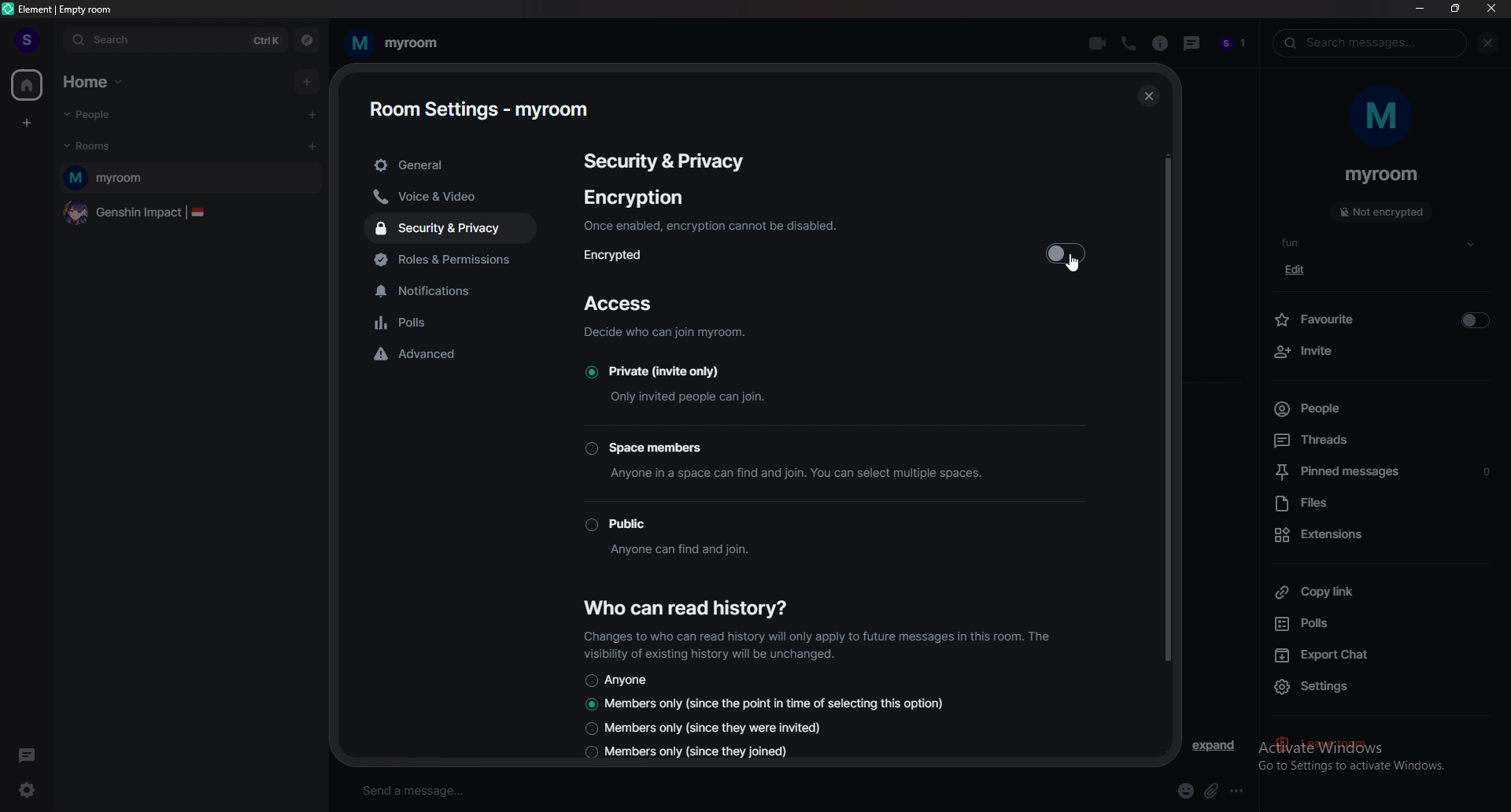 The width and height of the screenshot is (1511, 812). What do you see at coordinates (484, 790) in the screenshot?
I see `send a message` at bounding box center [484, 790].